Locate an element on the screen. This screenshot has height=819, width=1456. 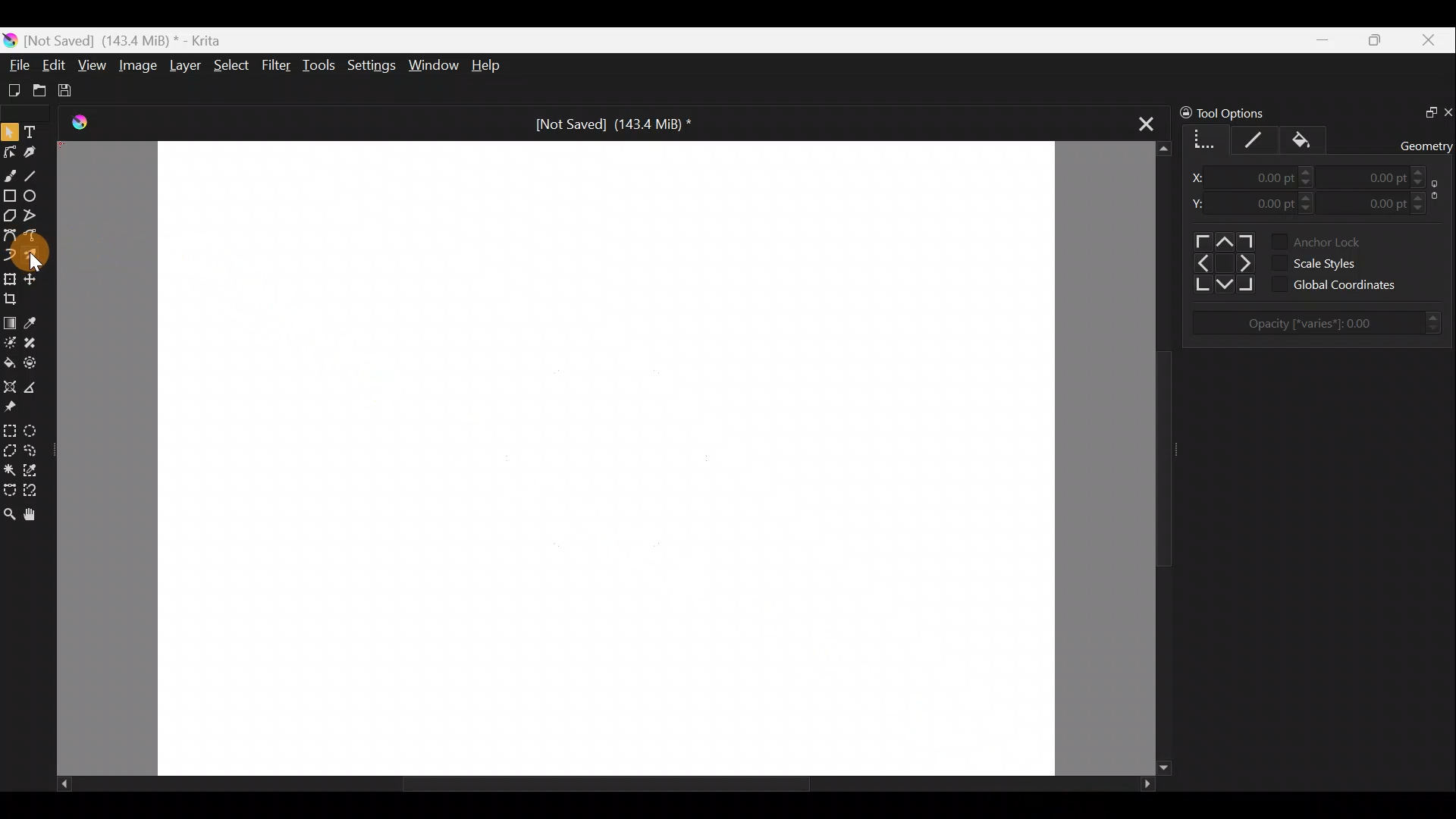
Anchor lock is located at coordinates (1339, 240).